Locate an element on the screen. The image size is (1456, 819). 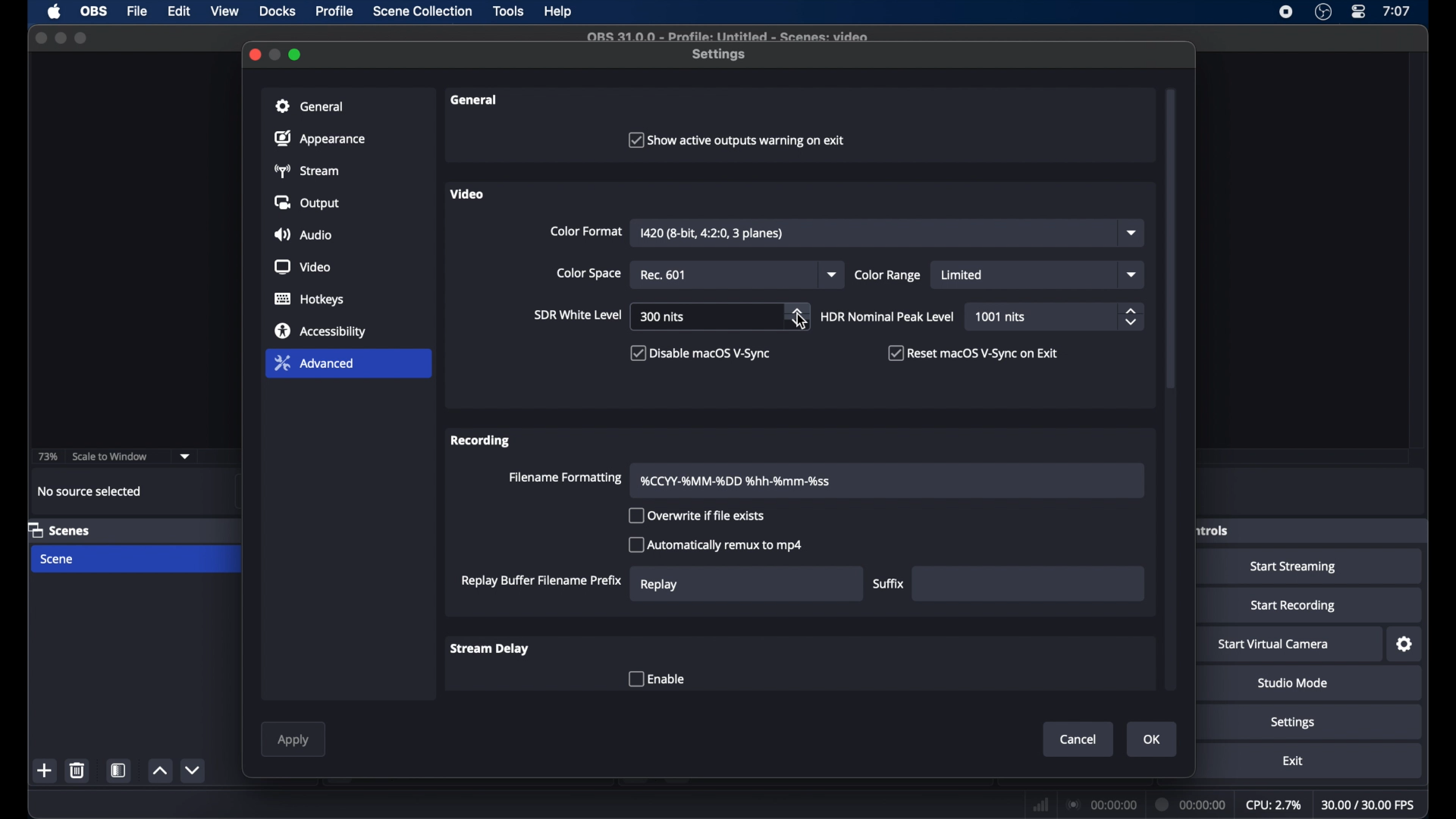
limited is located at coordinates (962, 275).